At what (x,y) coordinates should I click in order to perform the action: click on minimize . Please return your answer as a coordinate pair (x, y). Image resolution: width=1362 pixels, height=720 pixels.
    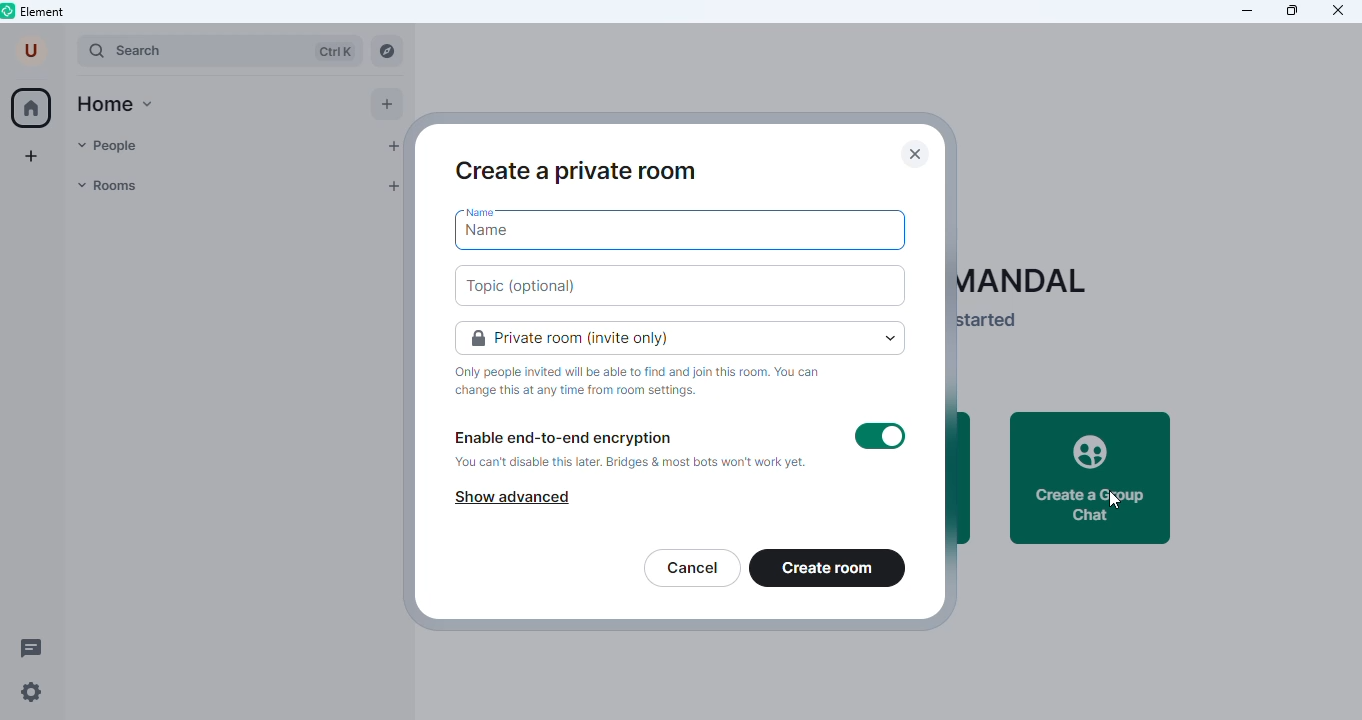
    Looking at the image, I should click on (1245, 12).